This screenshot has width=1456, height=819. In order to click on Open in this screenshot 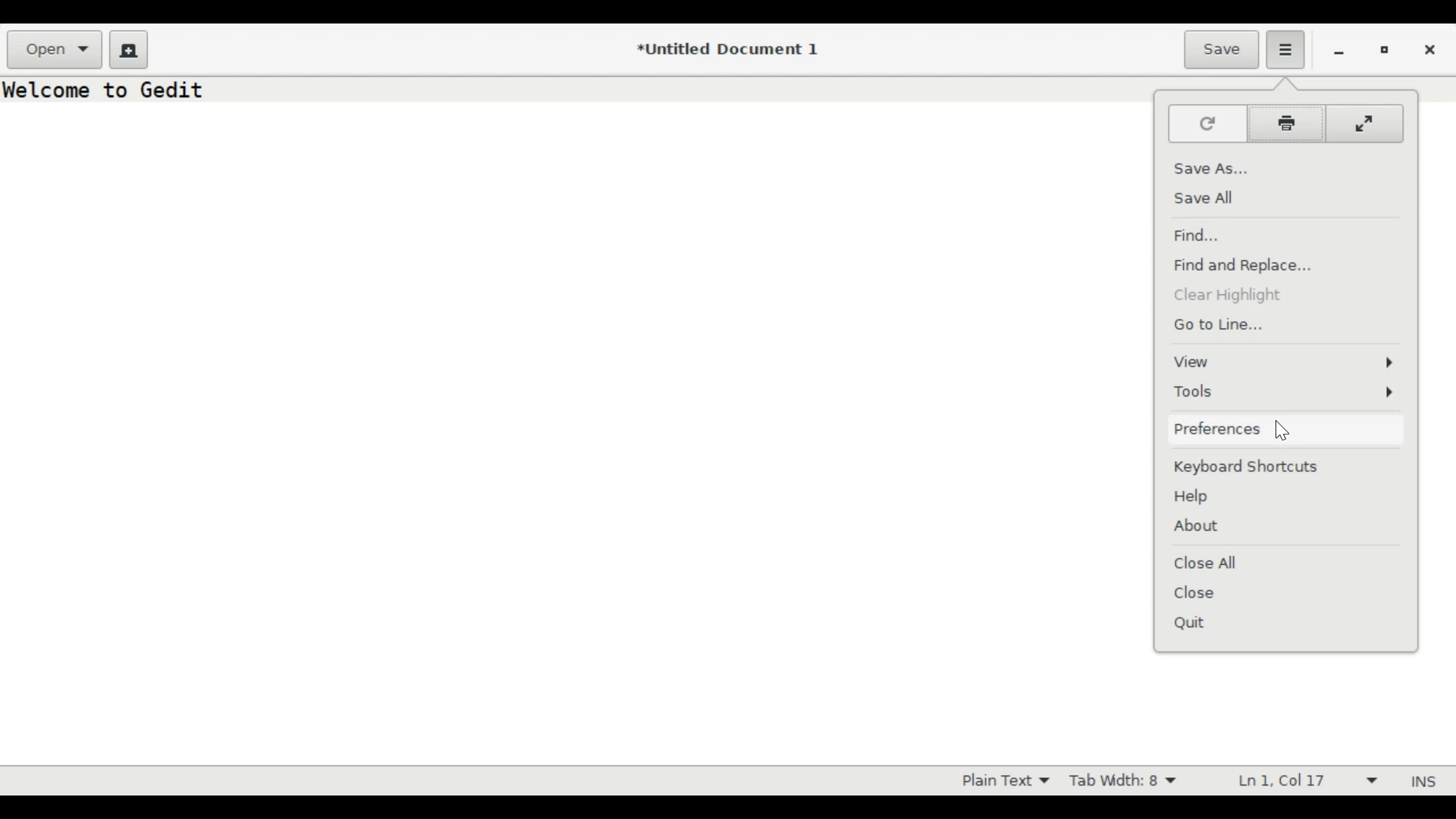, I will do `click(54, 50)`.